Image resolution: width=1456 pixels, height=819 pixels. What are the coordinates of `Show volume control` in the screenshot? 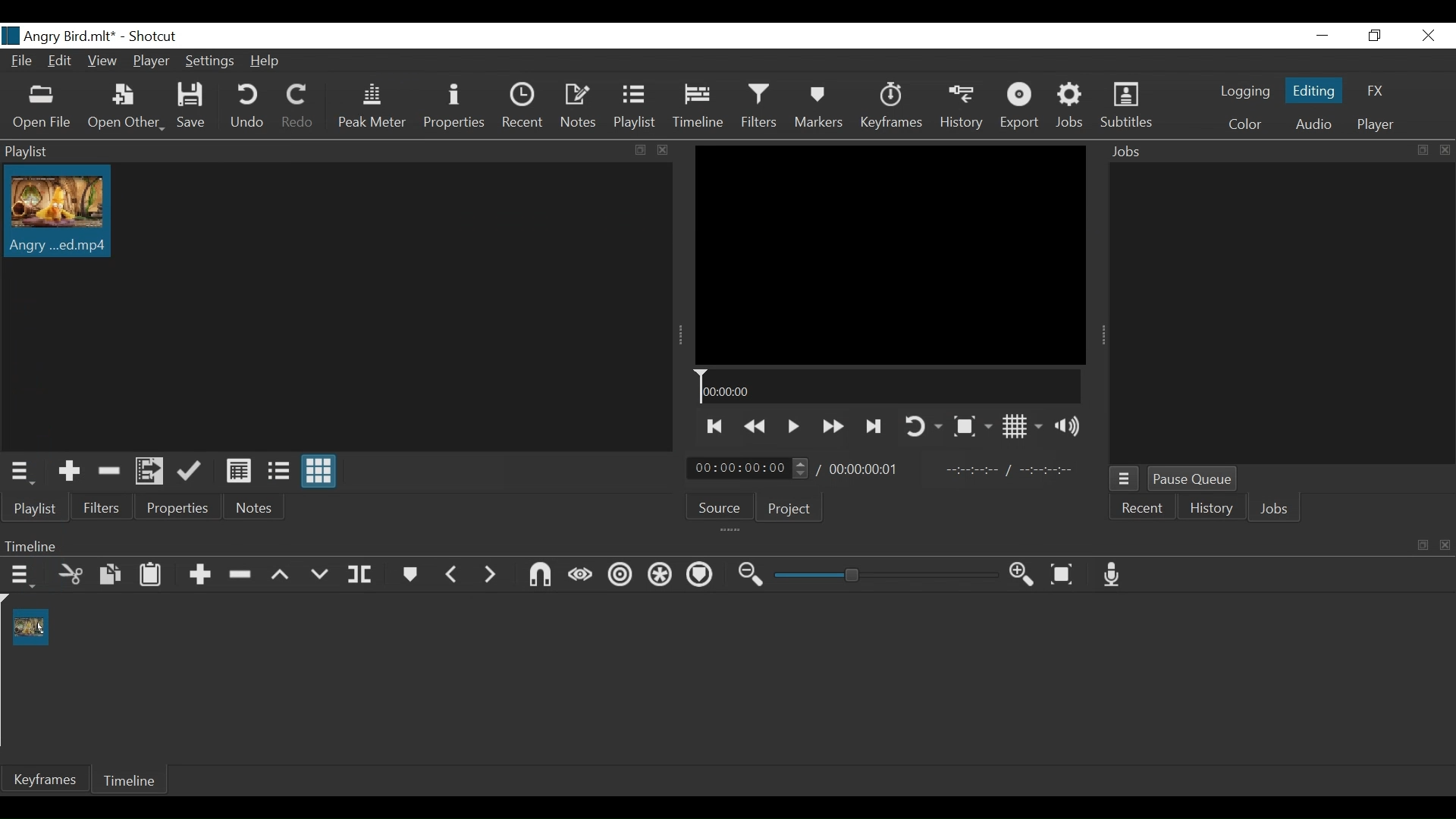 It's located at (1068, 425).